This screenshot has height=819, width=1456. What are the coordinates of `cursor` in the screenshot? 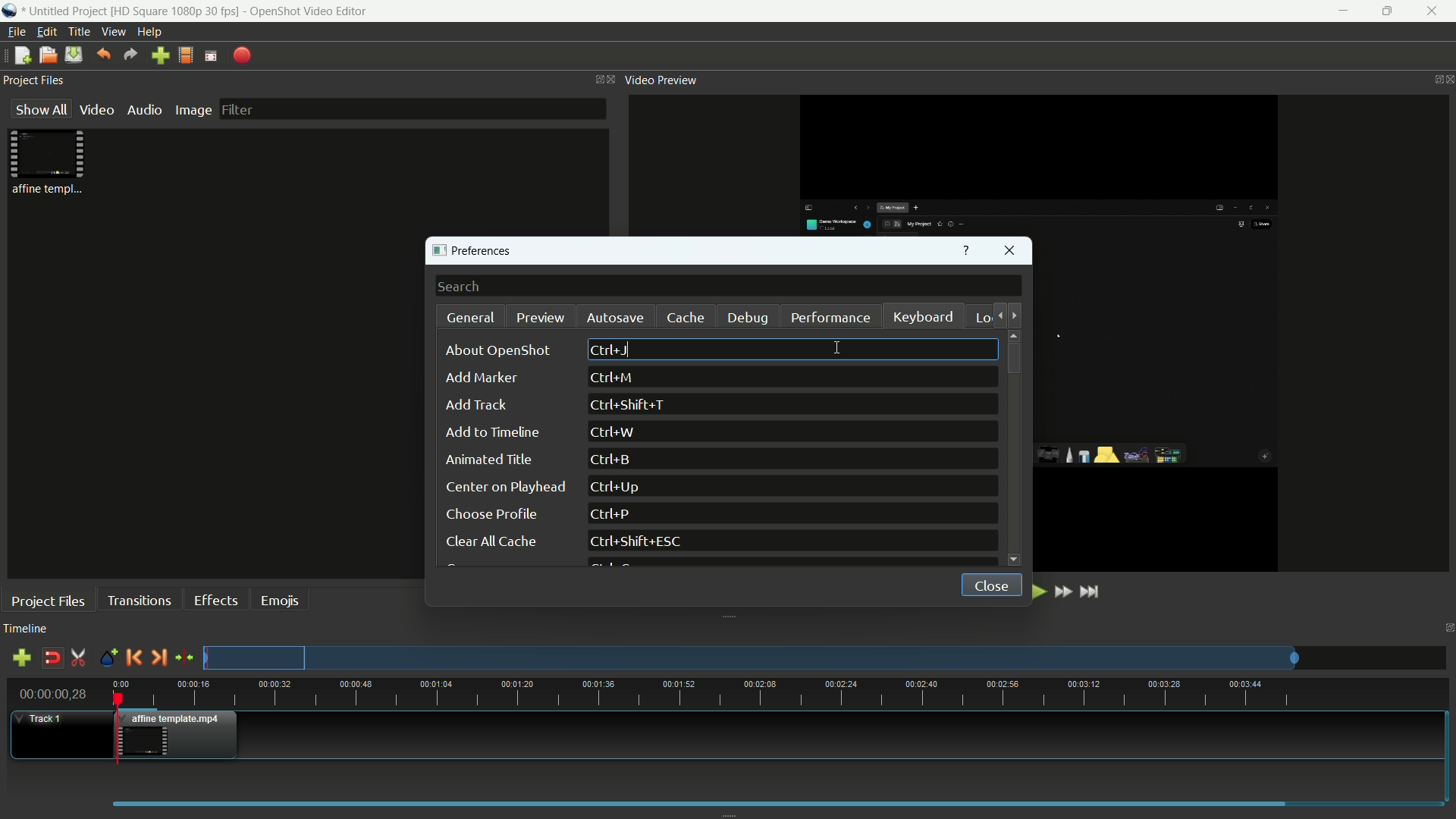 It's located at (632, 350).